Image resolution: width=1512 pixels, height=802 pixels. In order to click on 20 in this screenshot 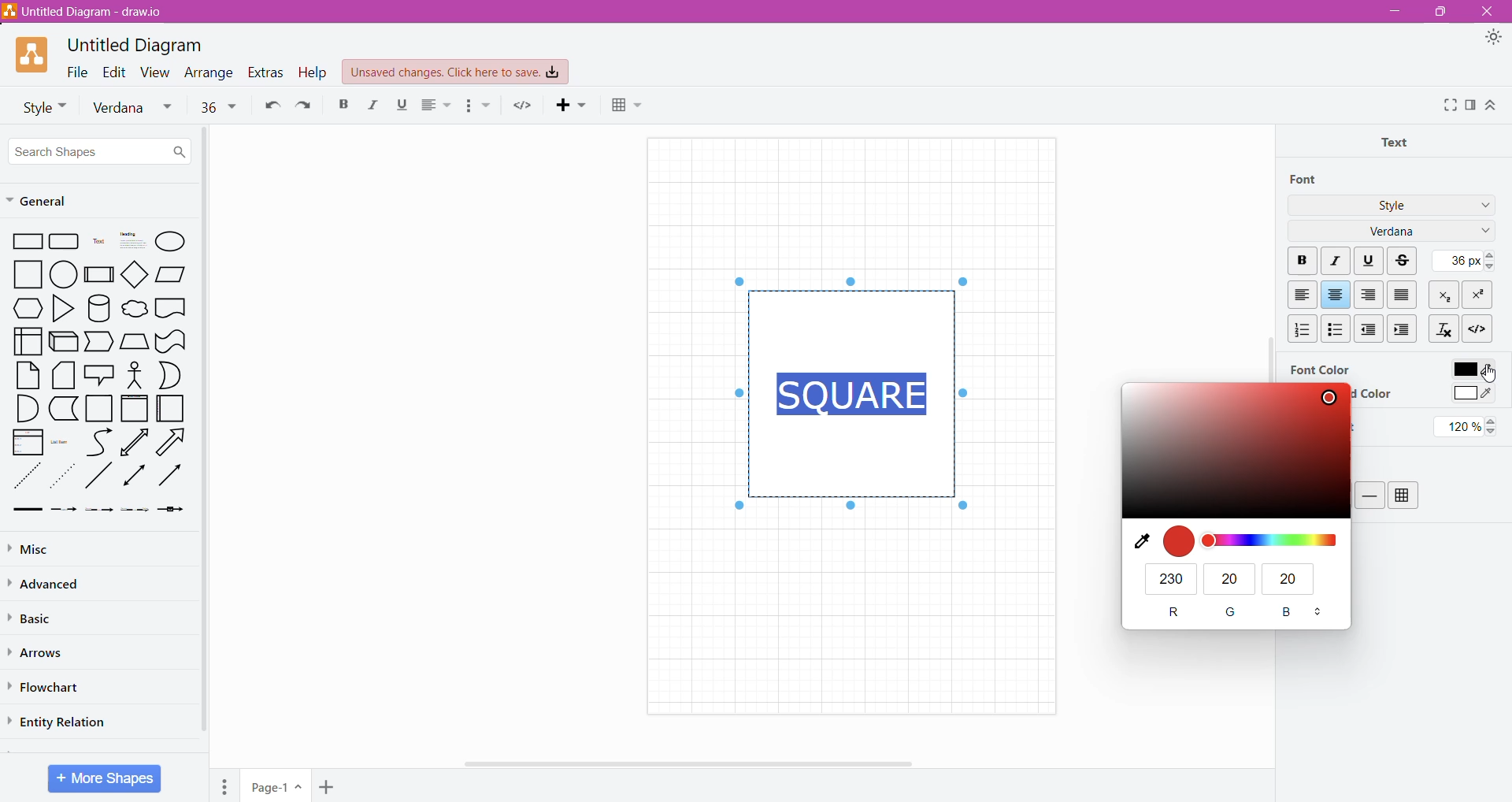, I will do `click(1230, 578)`.